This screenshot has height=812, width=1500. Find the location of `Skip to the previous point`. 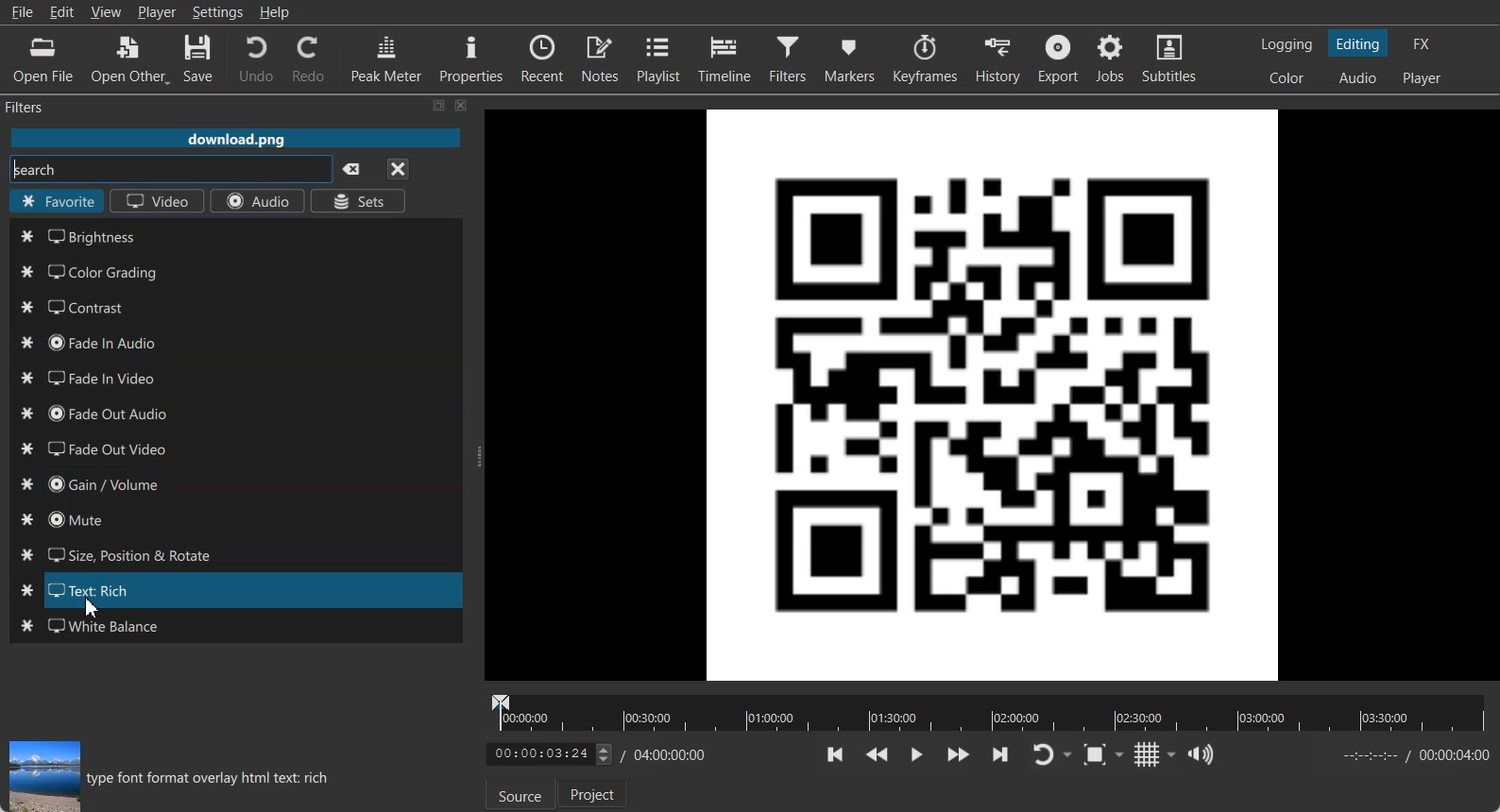

Skip to the previous point is located at coordinates (836, 753).